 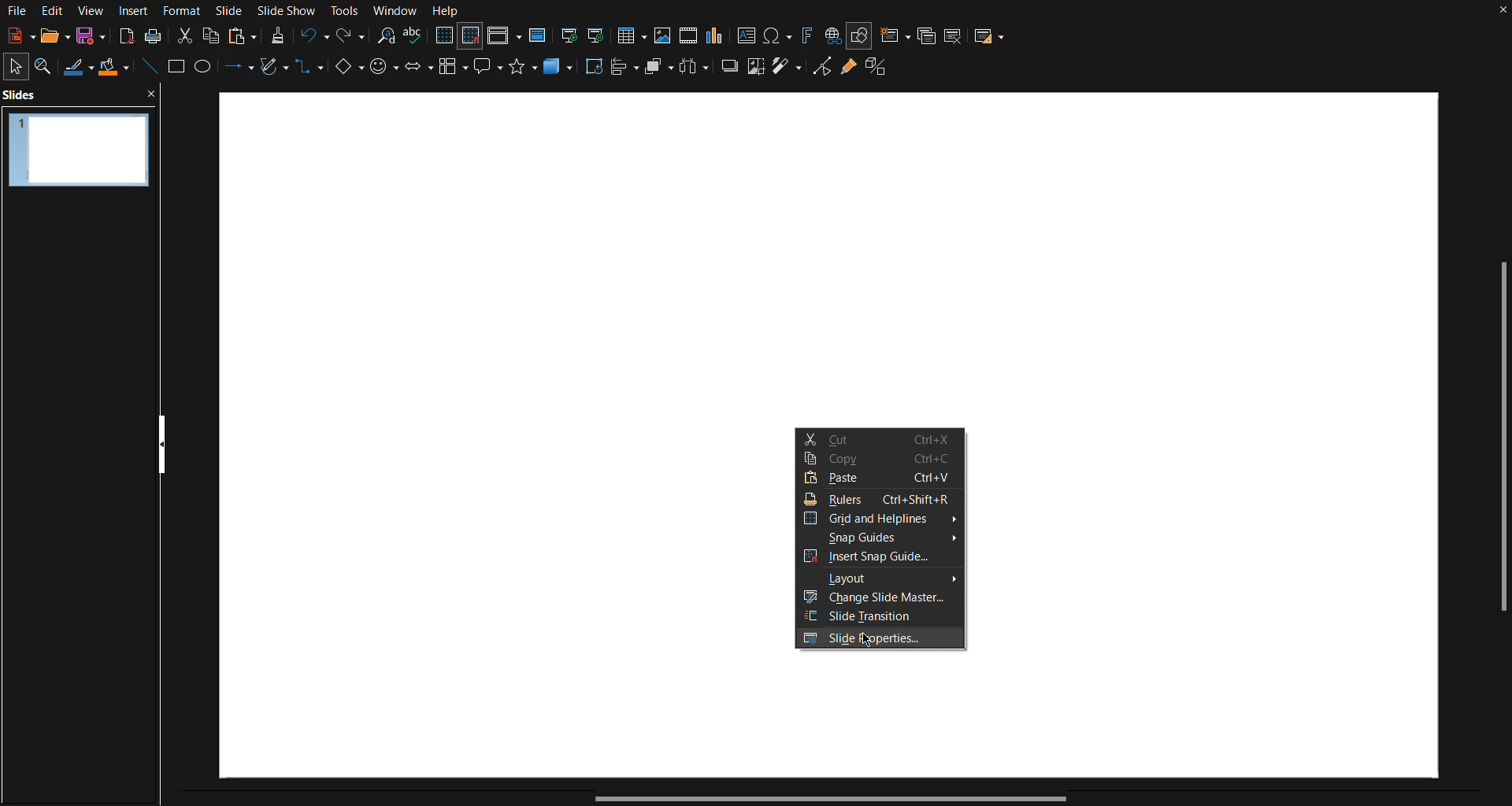 I want to click on Paste, so click(x=881, y=481).